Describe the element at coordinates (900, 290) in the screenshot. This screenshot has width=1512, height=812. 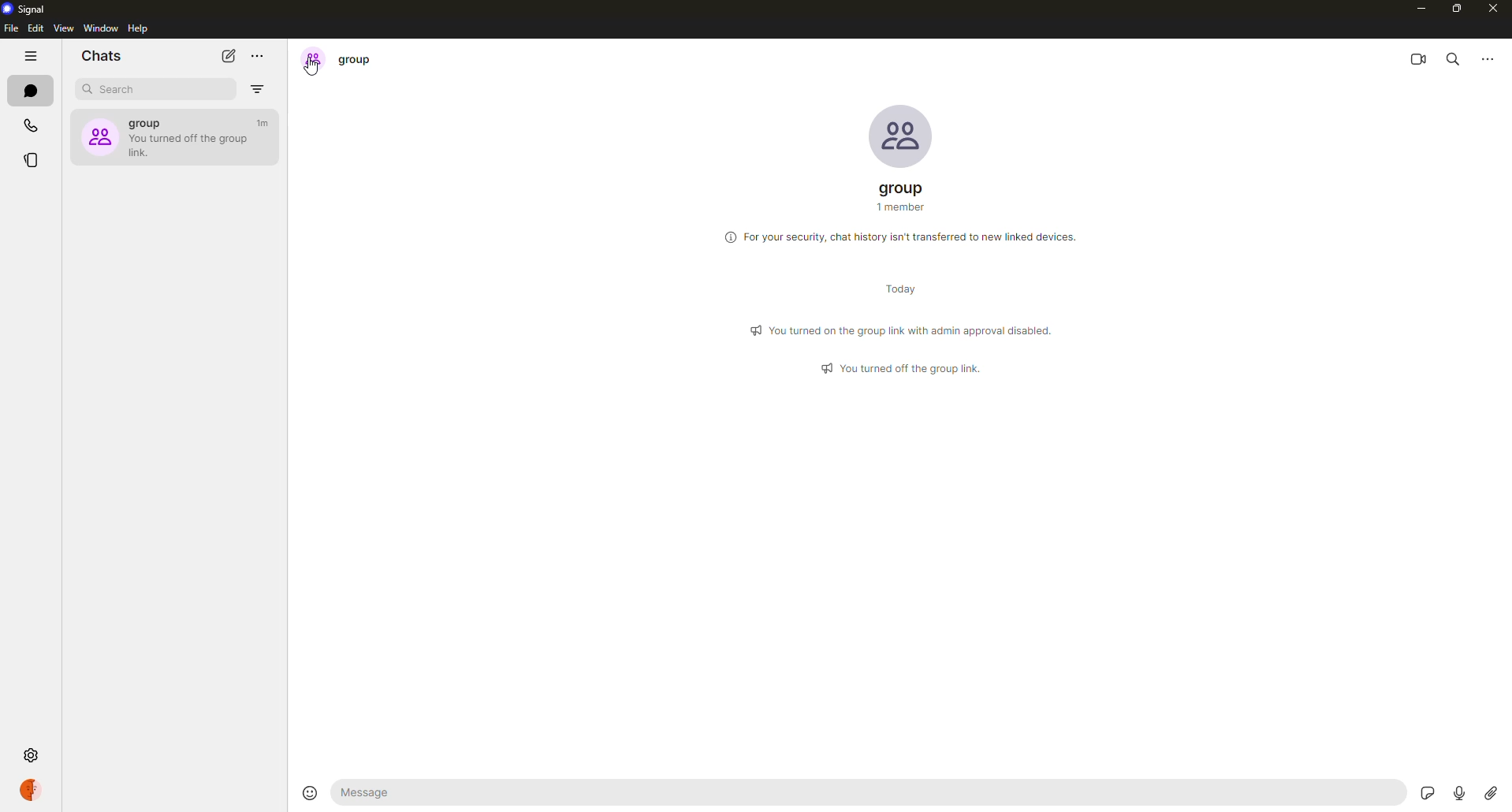
I see `day` at that location.